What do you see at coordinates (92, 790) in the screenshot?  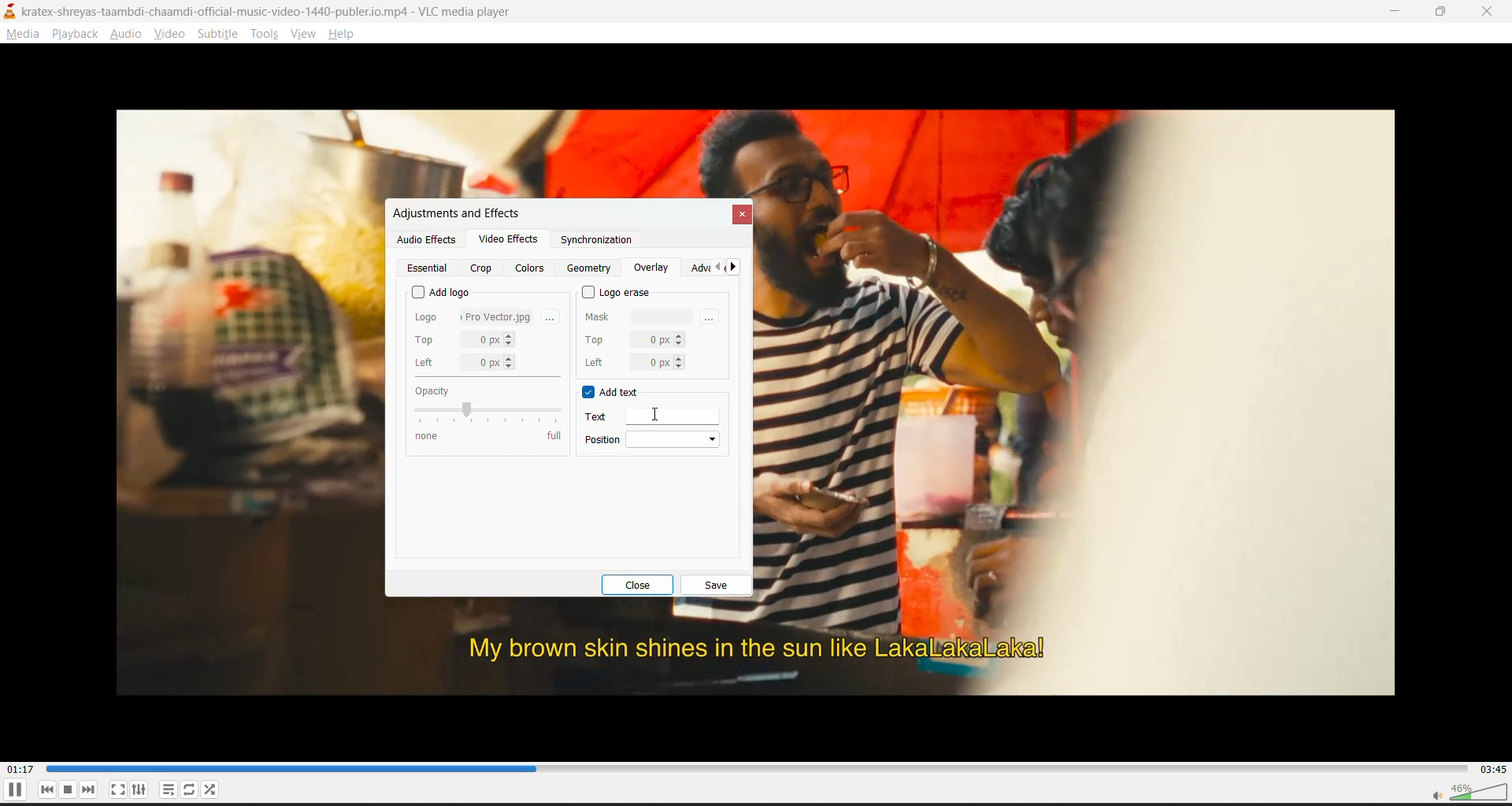 I see `next` at bounding box center [92, 790].